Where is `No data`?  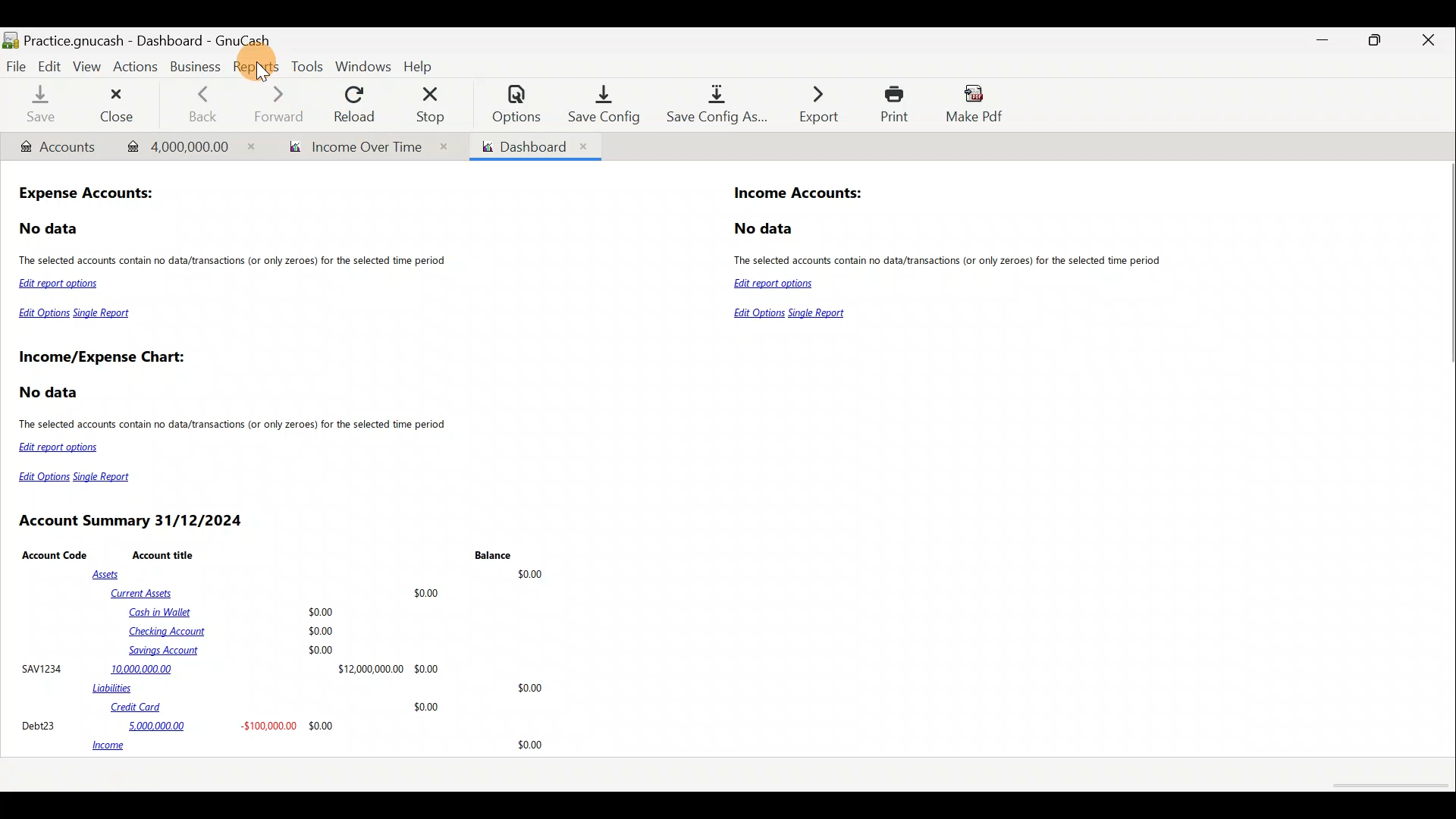
No data is located at coordinates (766, 229).